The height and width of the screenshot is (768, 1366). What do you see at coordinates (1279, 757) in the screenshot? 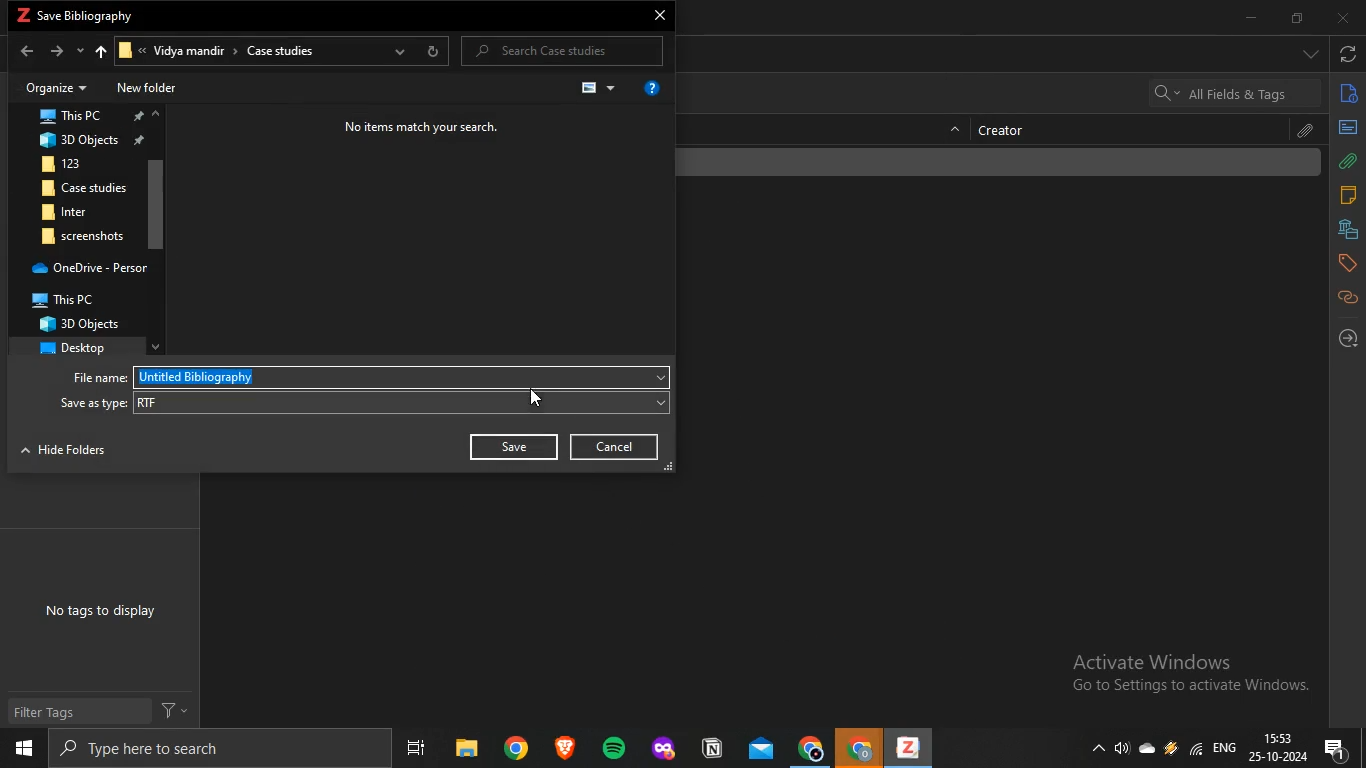
I see `date` at bounding box center [1279, 757].